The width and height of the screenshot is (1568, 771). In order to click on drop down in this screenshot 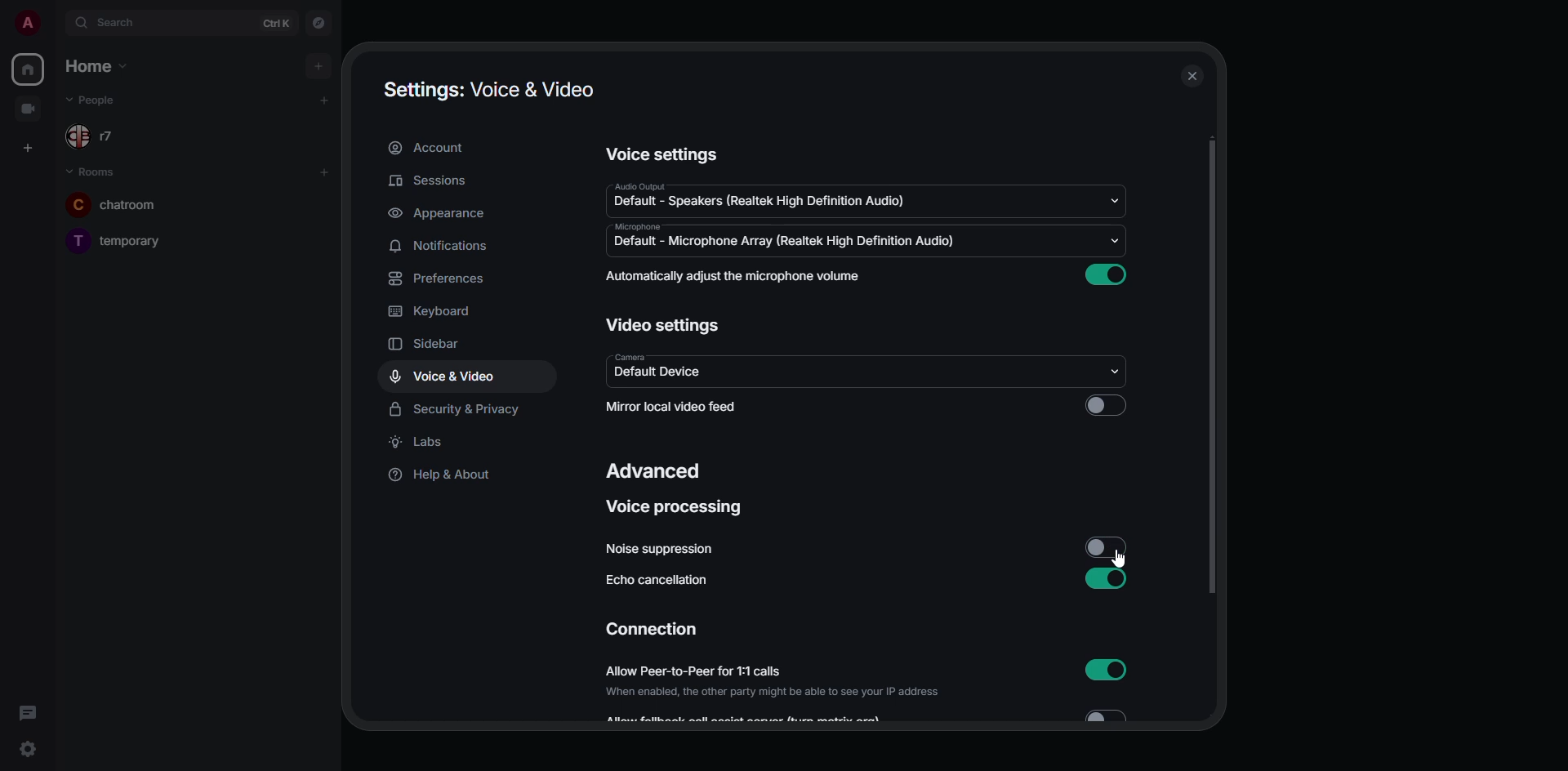, I will do `click(1117, 372)`.